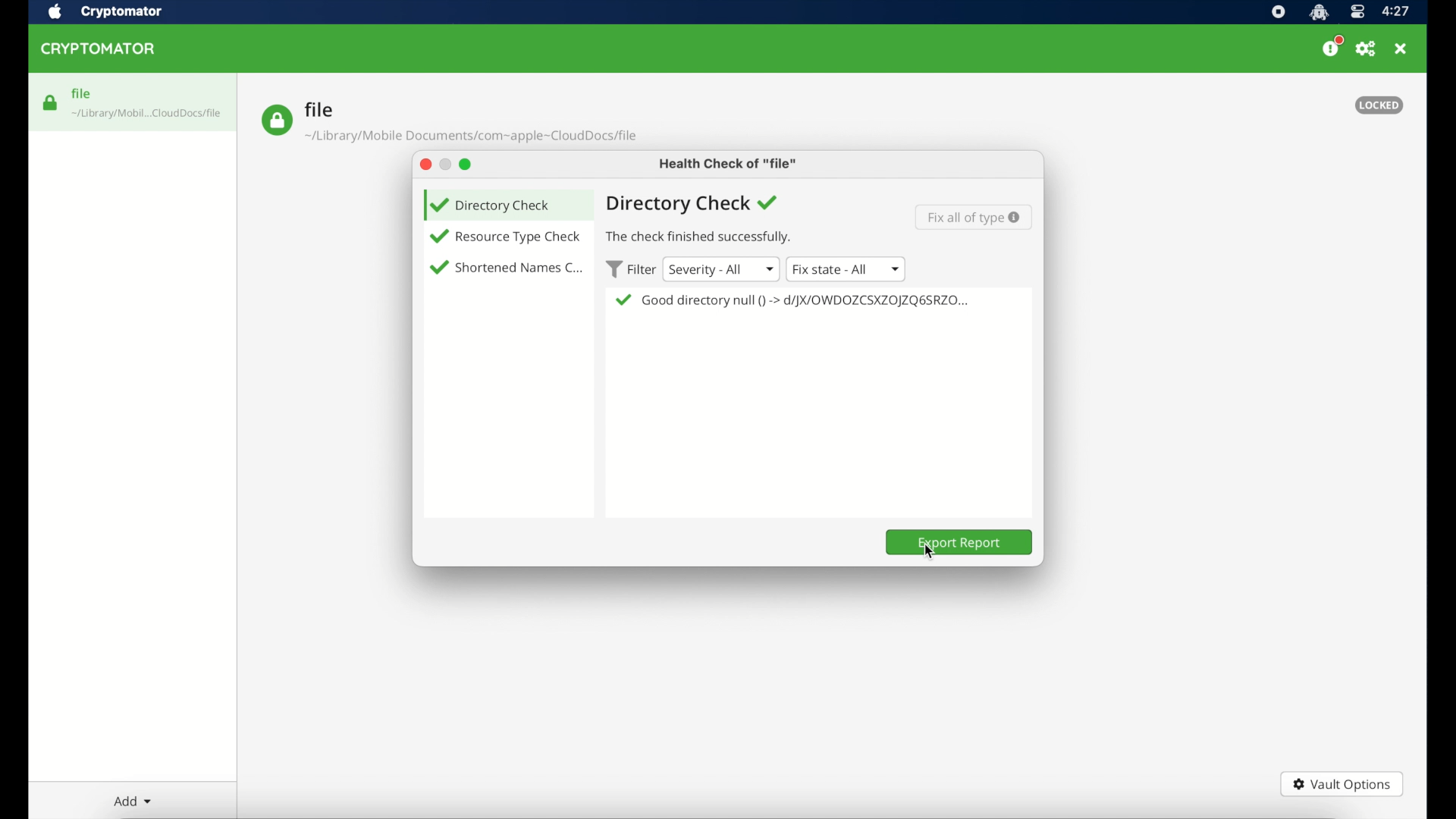  What do you see at coordinates (55, 12) in the screenshot?
I see `apple icon` at bounding box center [55, 12].